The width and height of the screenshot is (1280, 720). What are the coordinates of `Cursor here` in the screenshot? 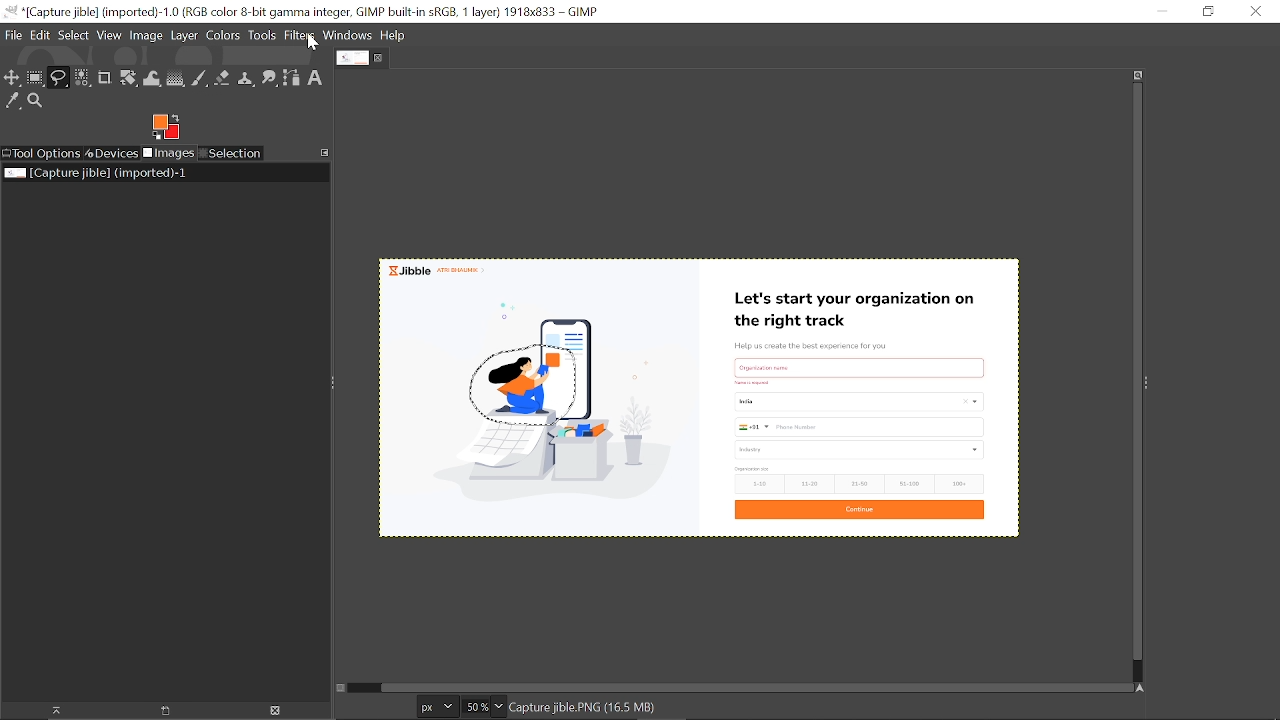 It's located at (312, 45).